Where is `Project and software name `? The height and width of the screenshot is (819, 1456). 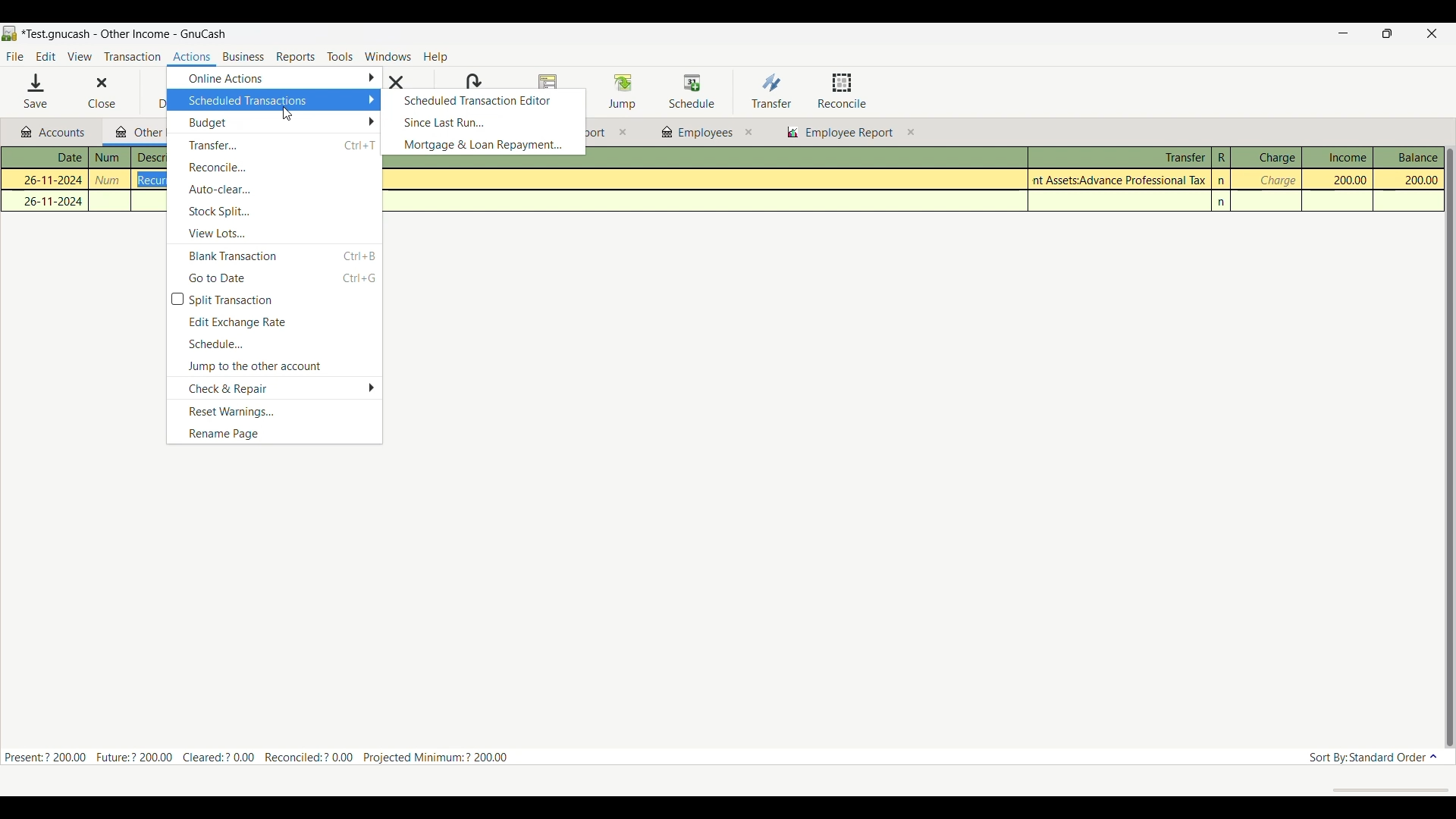
Project and software name  is located at coordinates (124, 35).